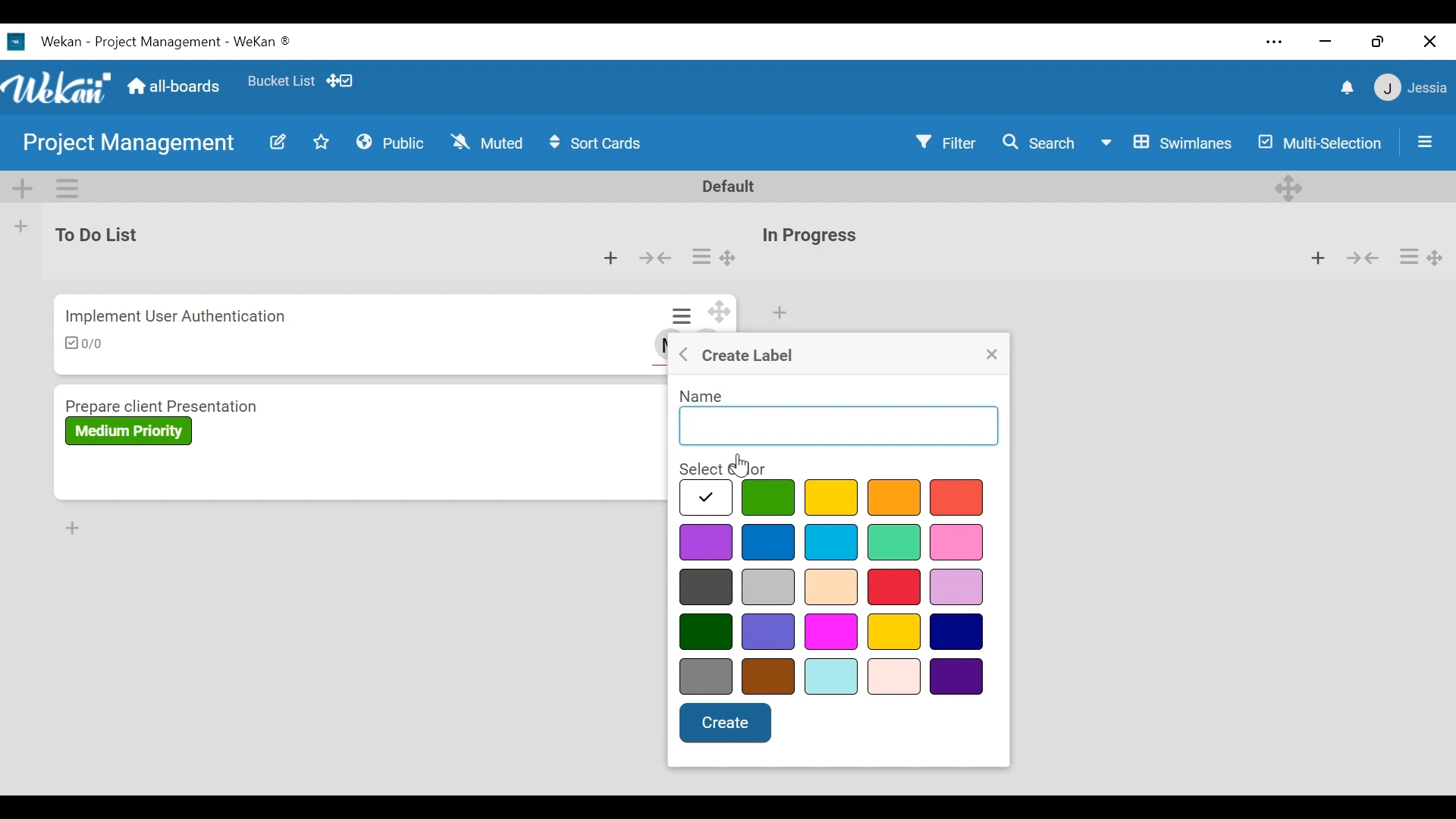  Describe the element at coordinates (22, 186) in the screenshot. I see `Add Swimlane` at that location.